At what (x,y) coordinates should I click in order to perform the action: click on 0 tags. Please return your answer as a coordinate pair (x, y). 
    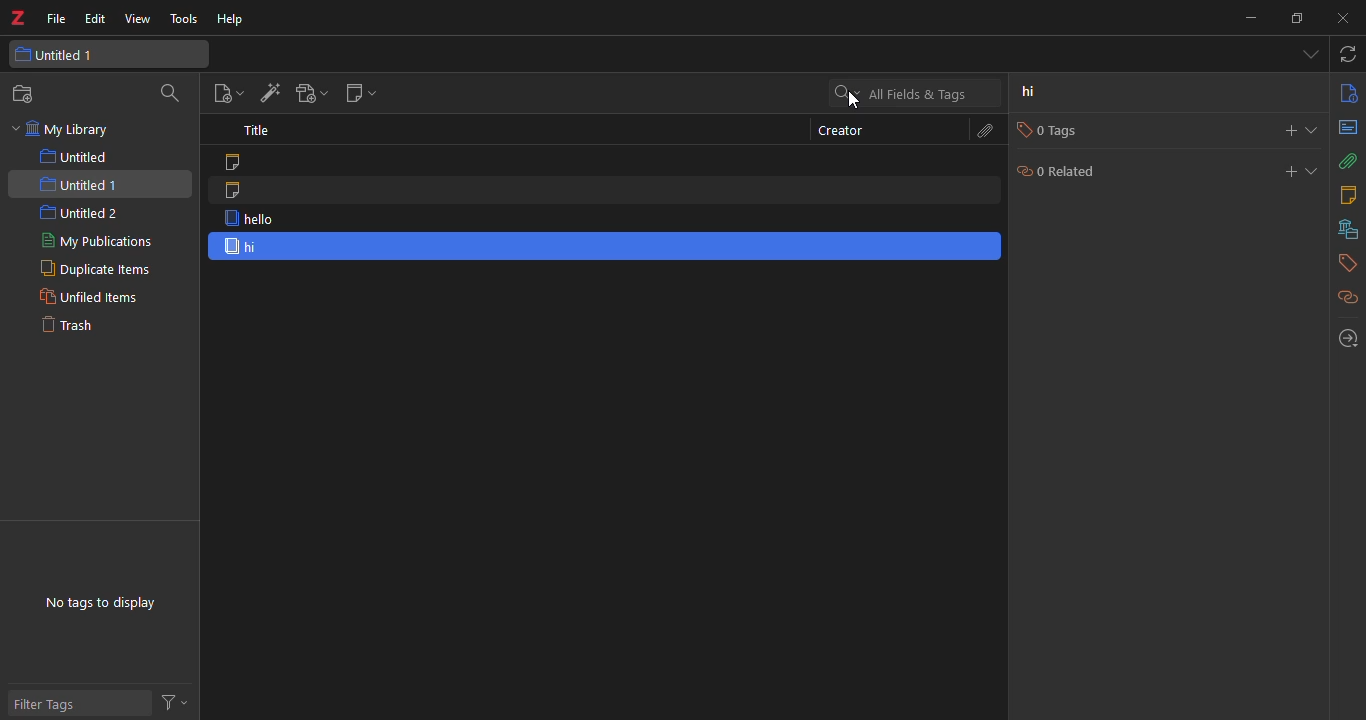
    Looking at the image, I should click on (1059, 130).